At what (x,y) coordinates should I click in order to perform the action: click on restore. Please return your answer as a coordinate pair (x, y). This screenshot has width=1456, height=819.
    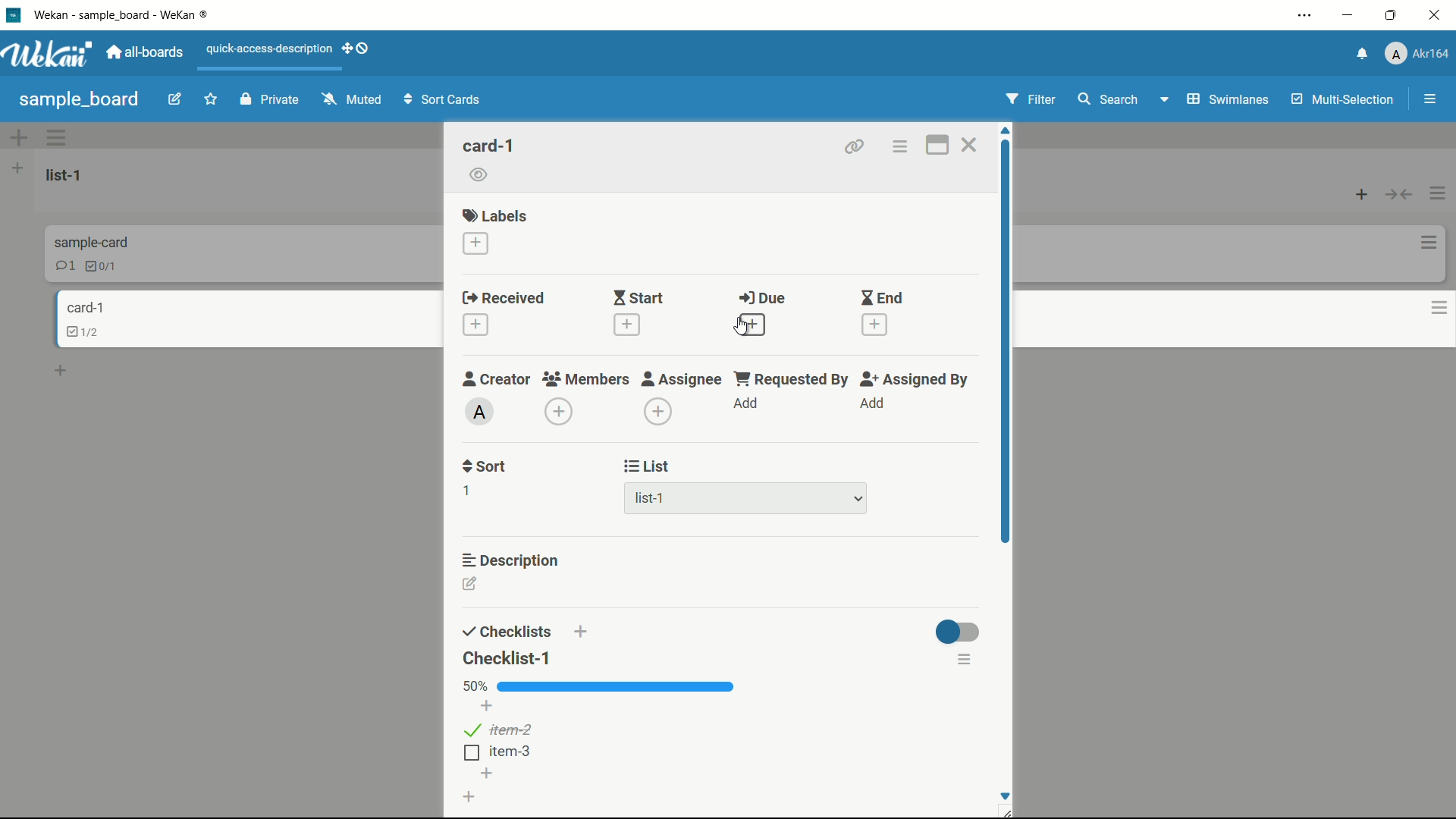
    Looking at the image, I should click on (1392, 16).